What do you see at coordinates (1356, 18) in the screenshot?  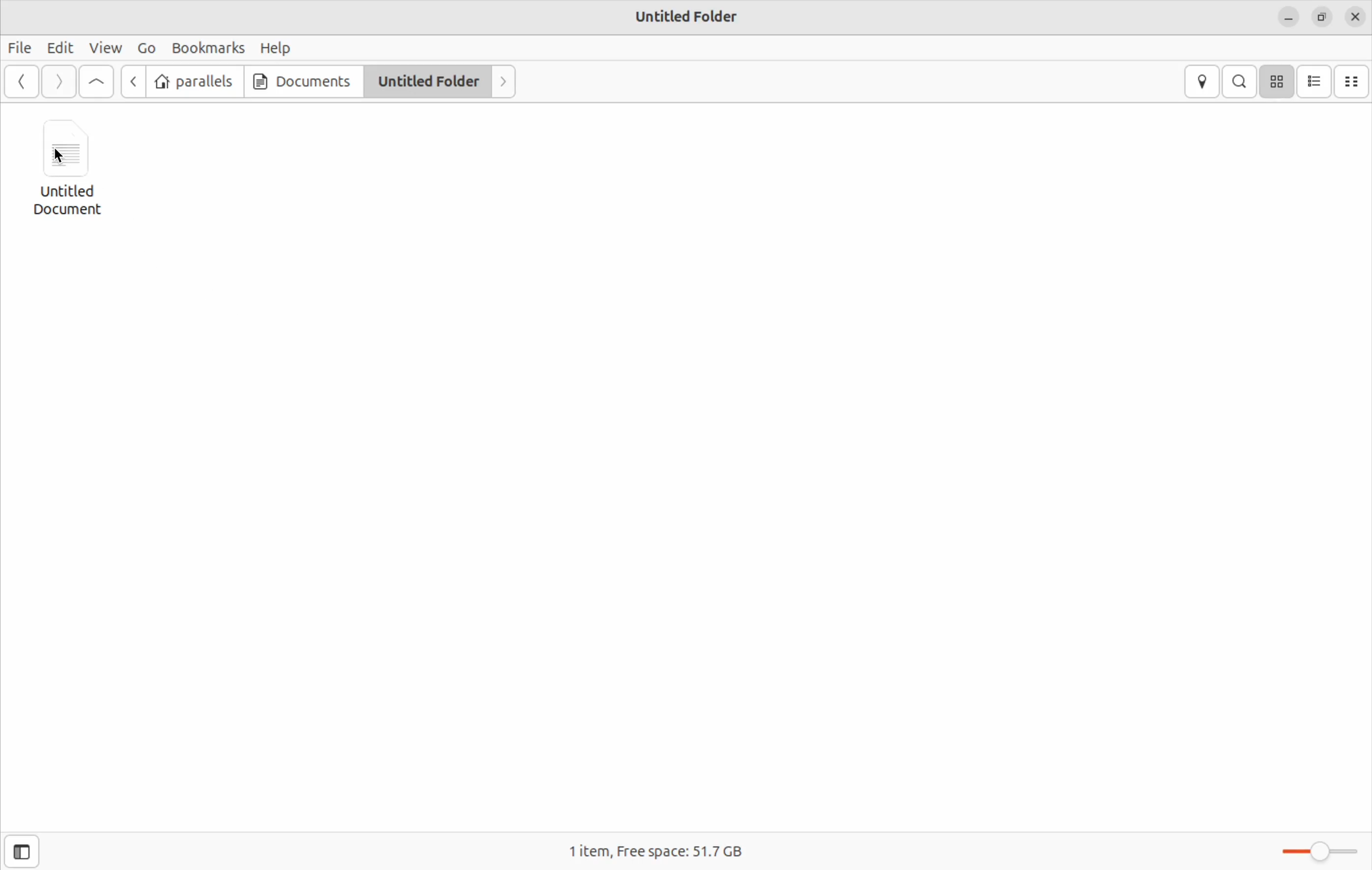 I see `close` at bounding box center [1356, 18].